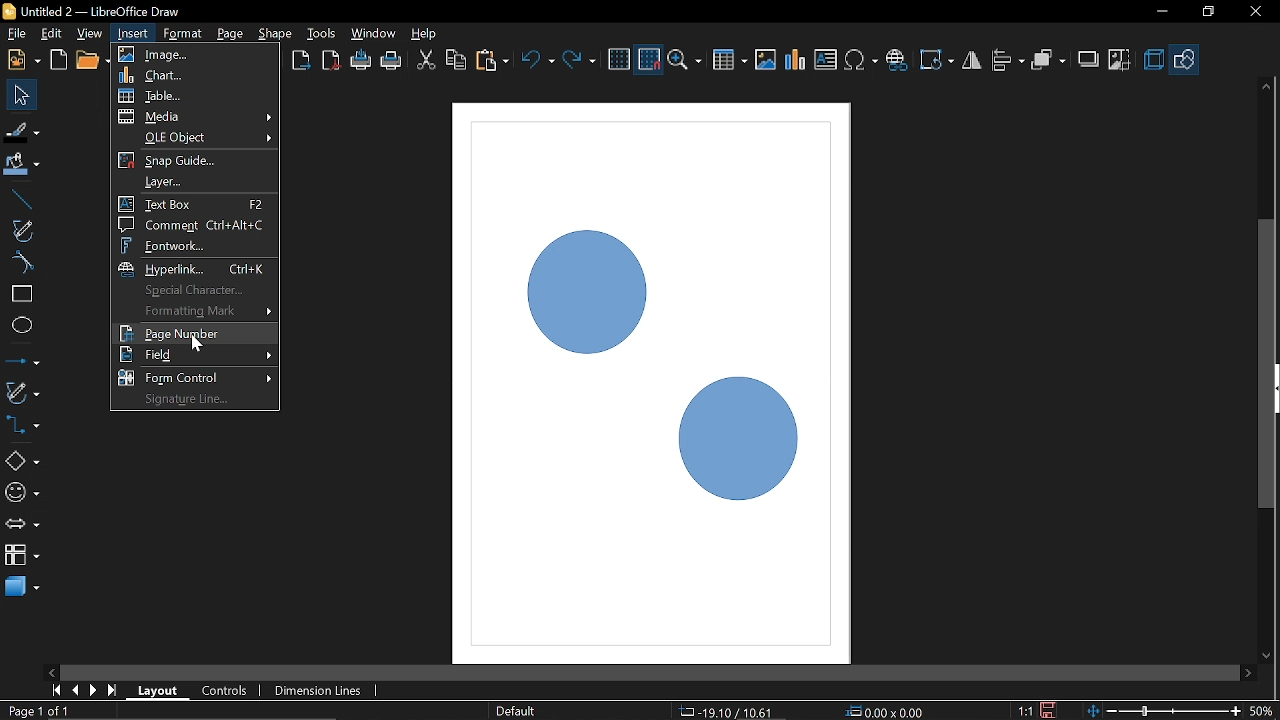 This screenshot has width=1280, height=720. I want to click on Grid, so click(619, 60).